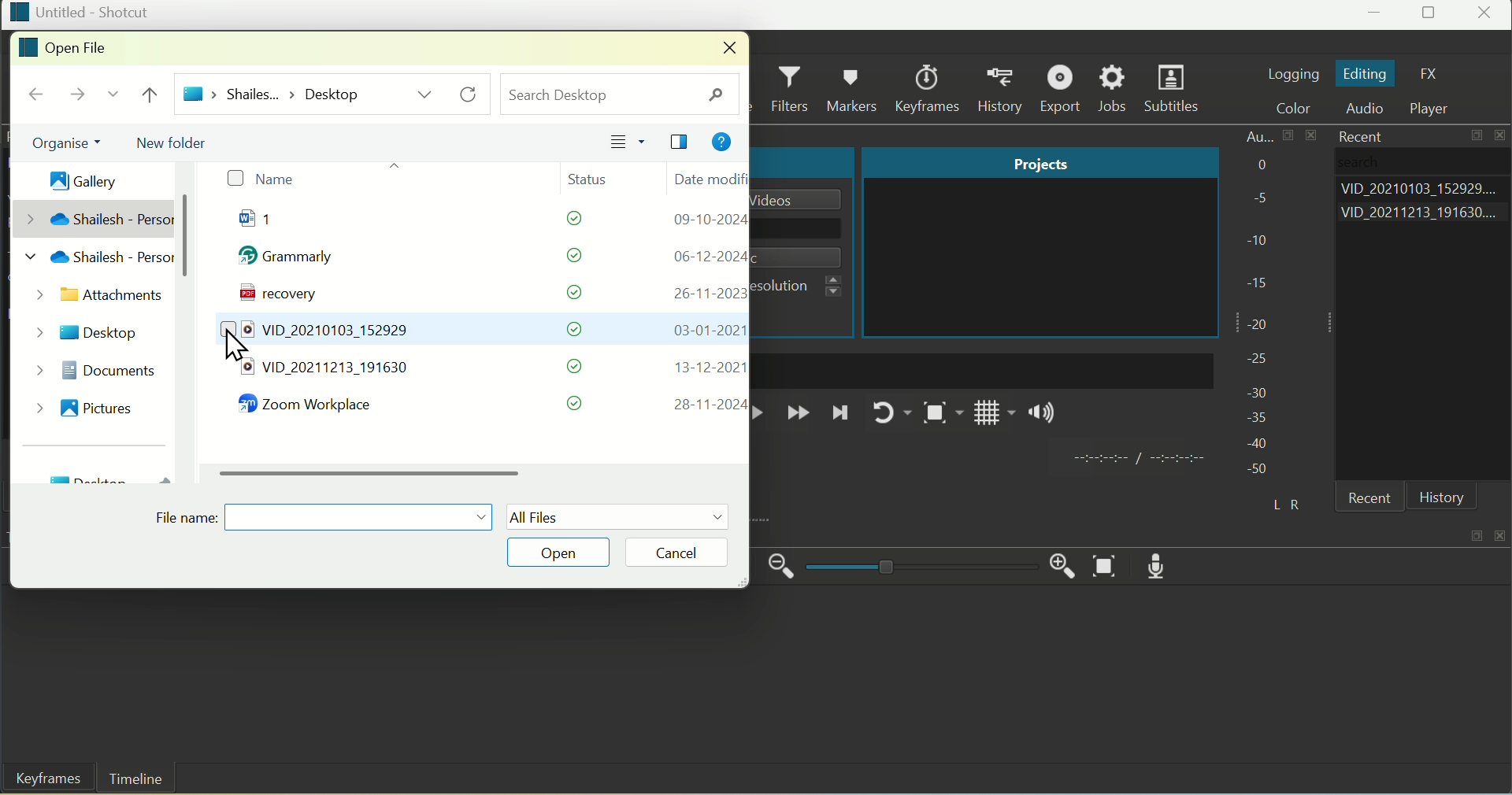 Image resolution: width=1512 pixels, height=795 pixels. What do you see at coordinates (273, 296) in the screenshot?
I see `recovery` at bounding box center [273, 296].